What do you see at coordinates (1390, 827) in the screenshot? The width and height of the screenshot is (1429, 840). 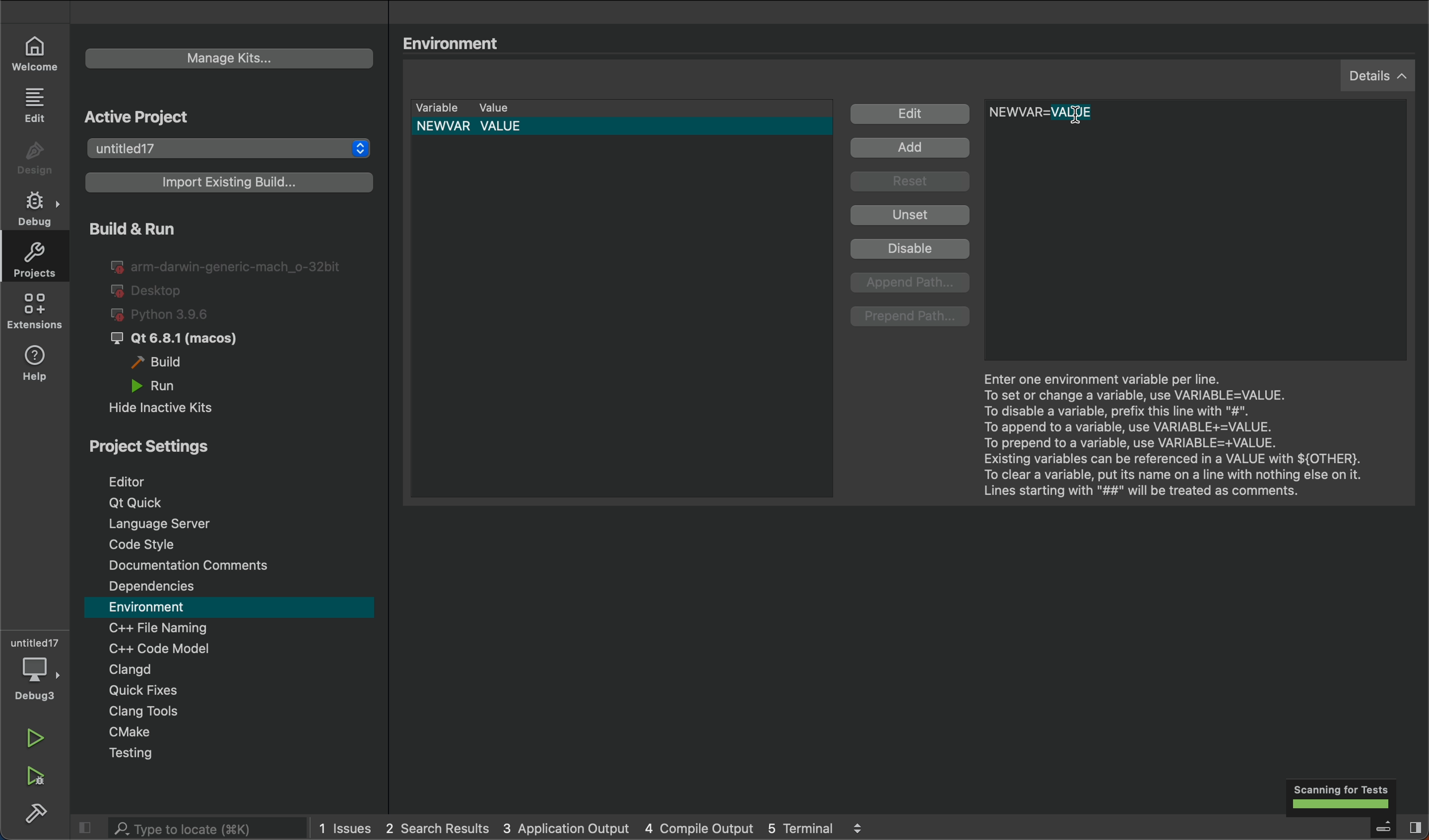 I see `toggle sidebar` at bounding box center [1390, 827].